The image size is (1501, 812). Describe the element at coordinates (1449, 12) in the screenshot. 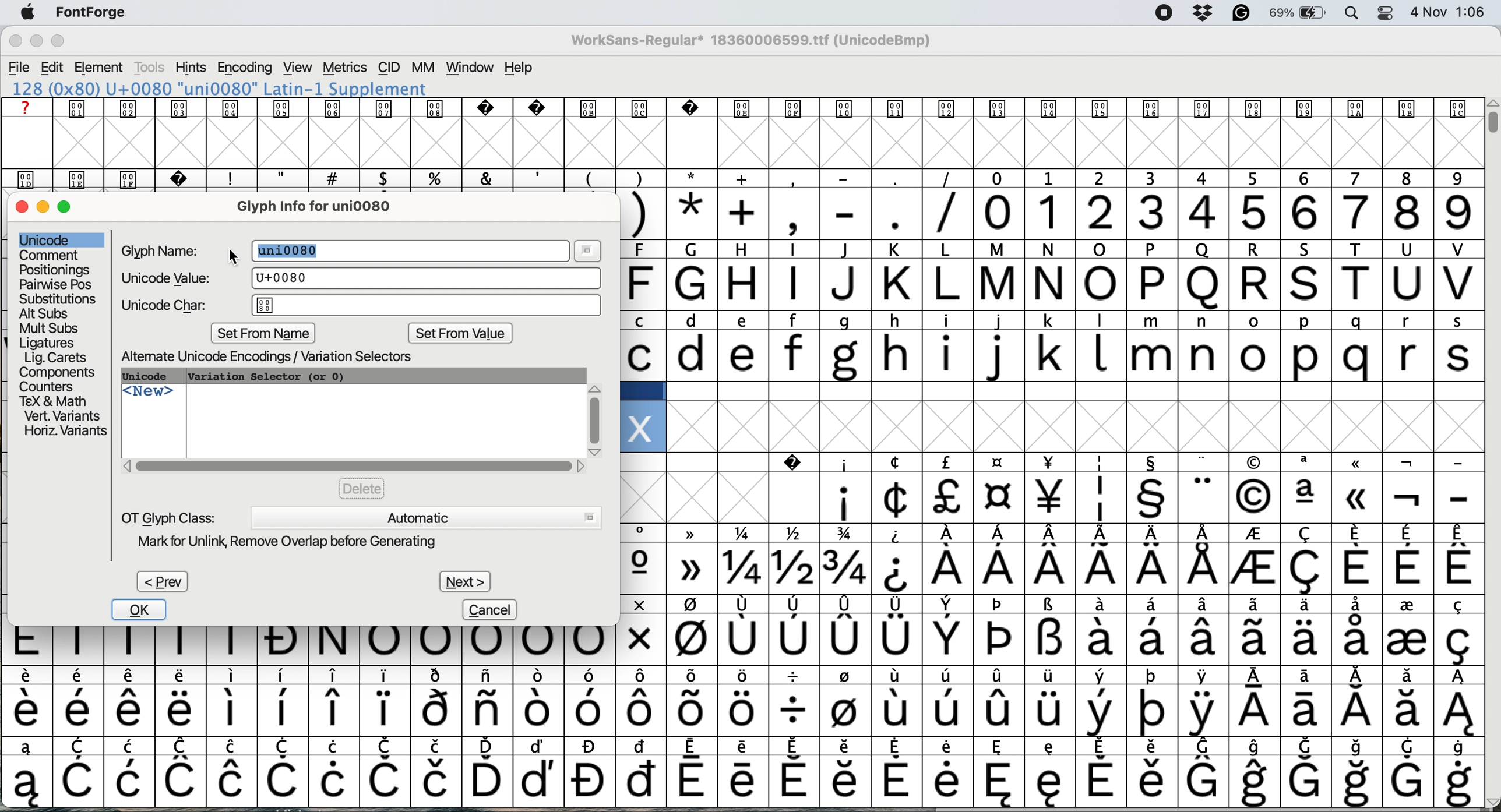

I see `date and time` at that location.